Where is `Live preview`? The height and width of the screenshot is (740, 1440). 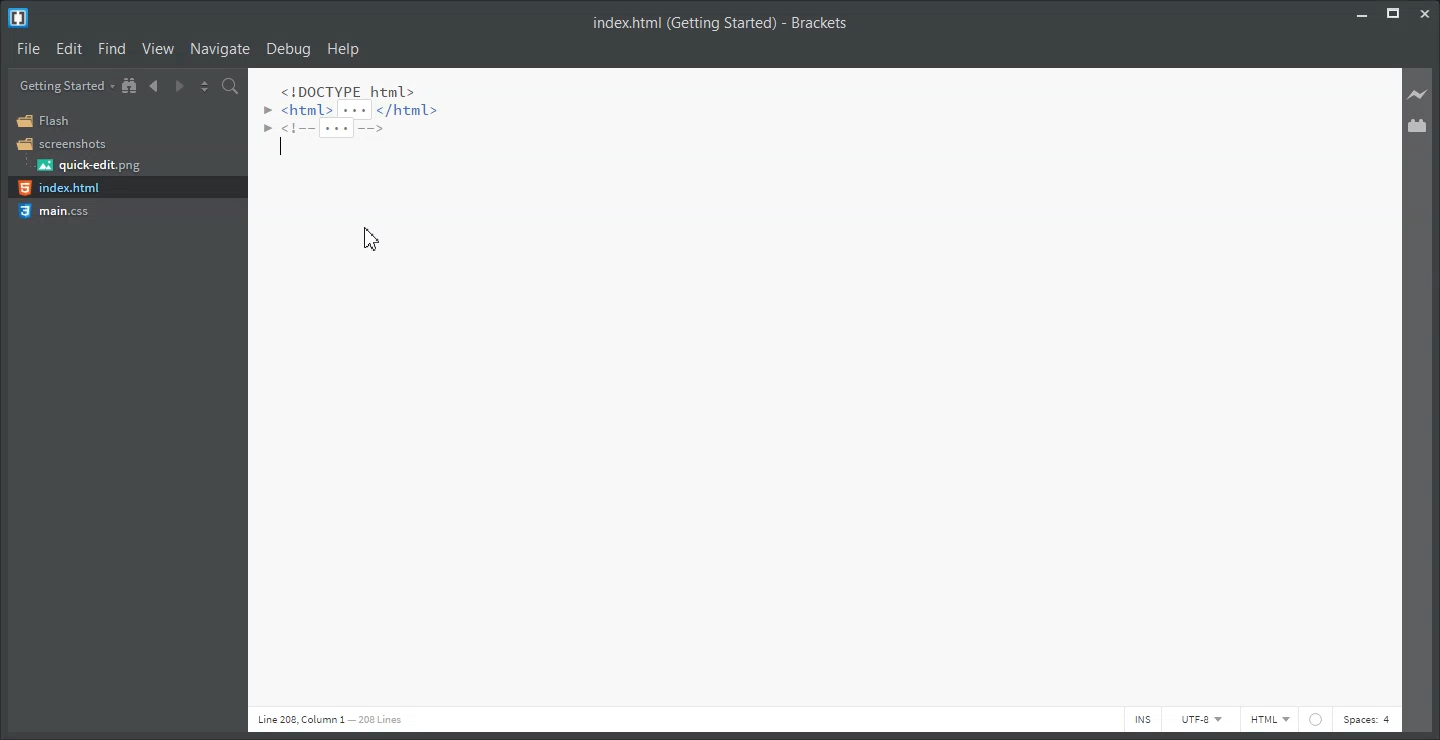
Live preview is located at coordinates (1417, 93).